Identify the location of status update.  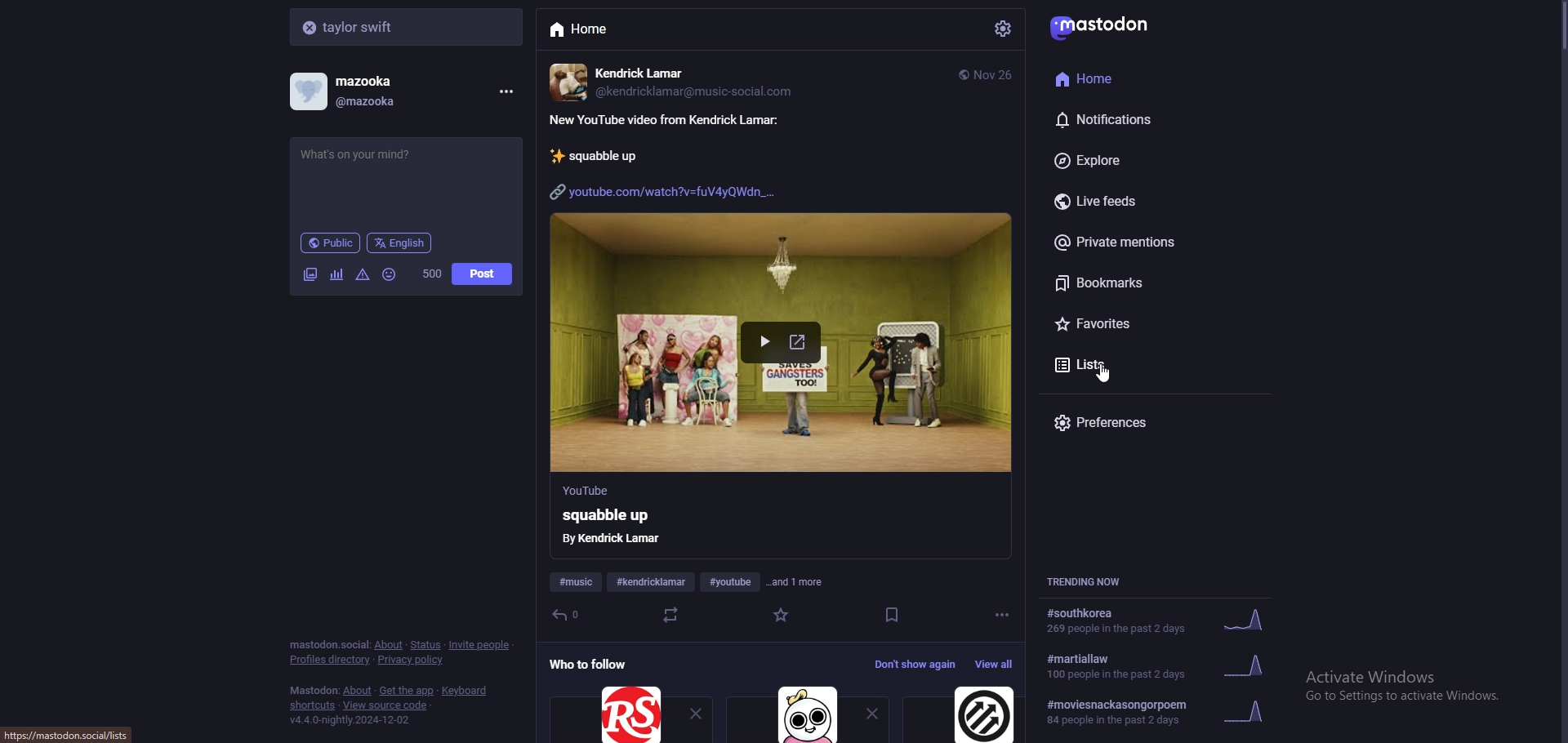
(370, 154).